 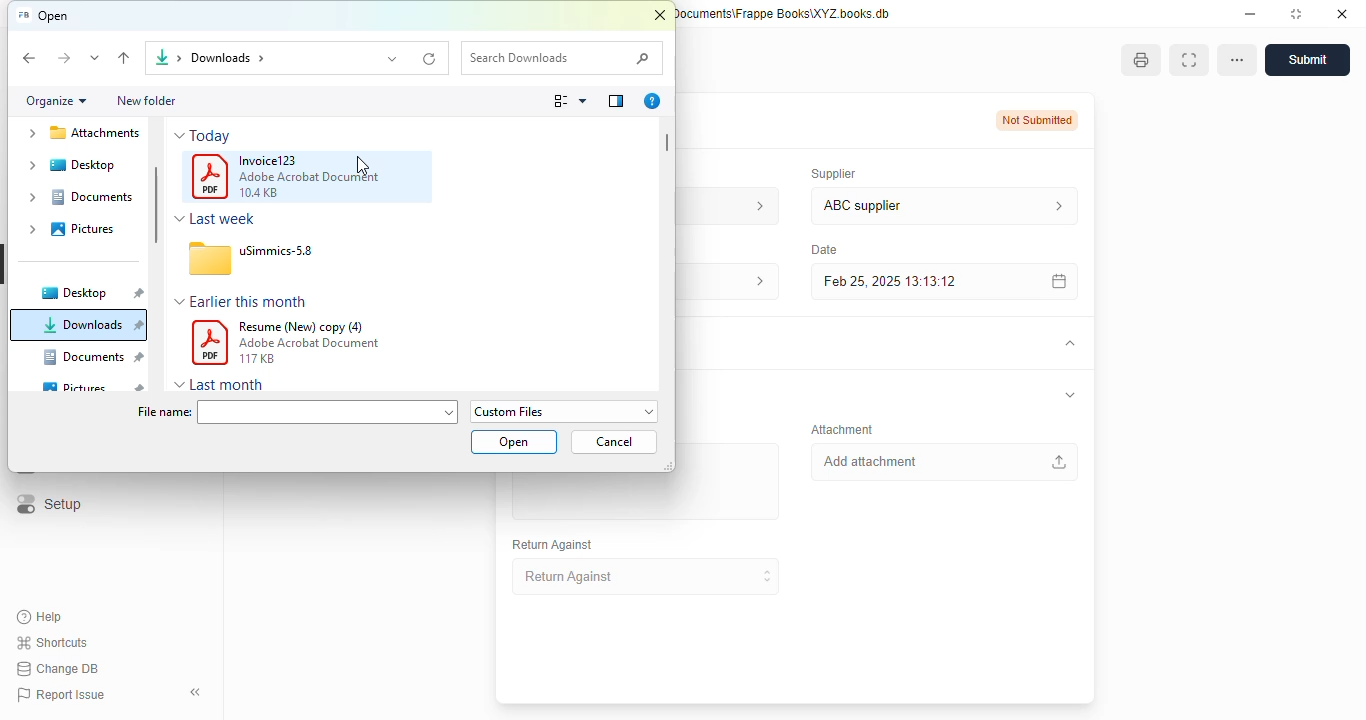 What do you see at coordinates (180, 135) in the screenshot?
I see `dropdown` at bounding box center [180, 135].